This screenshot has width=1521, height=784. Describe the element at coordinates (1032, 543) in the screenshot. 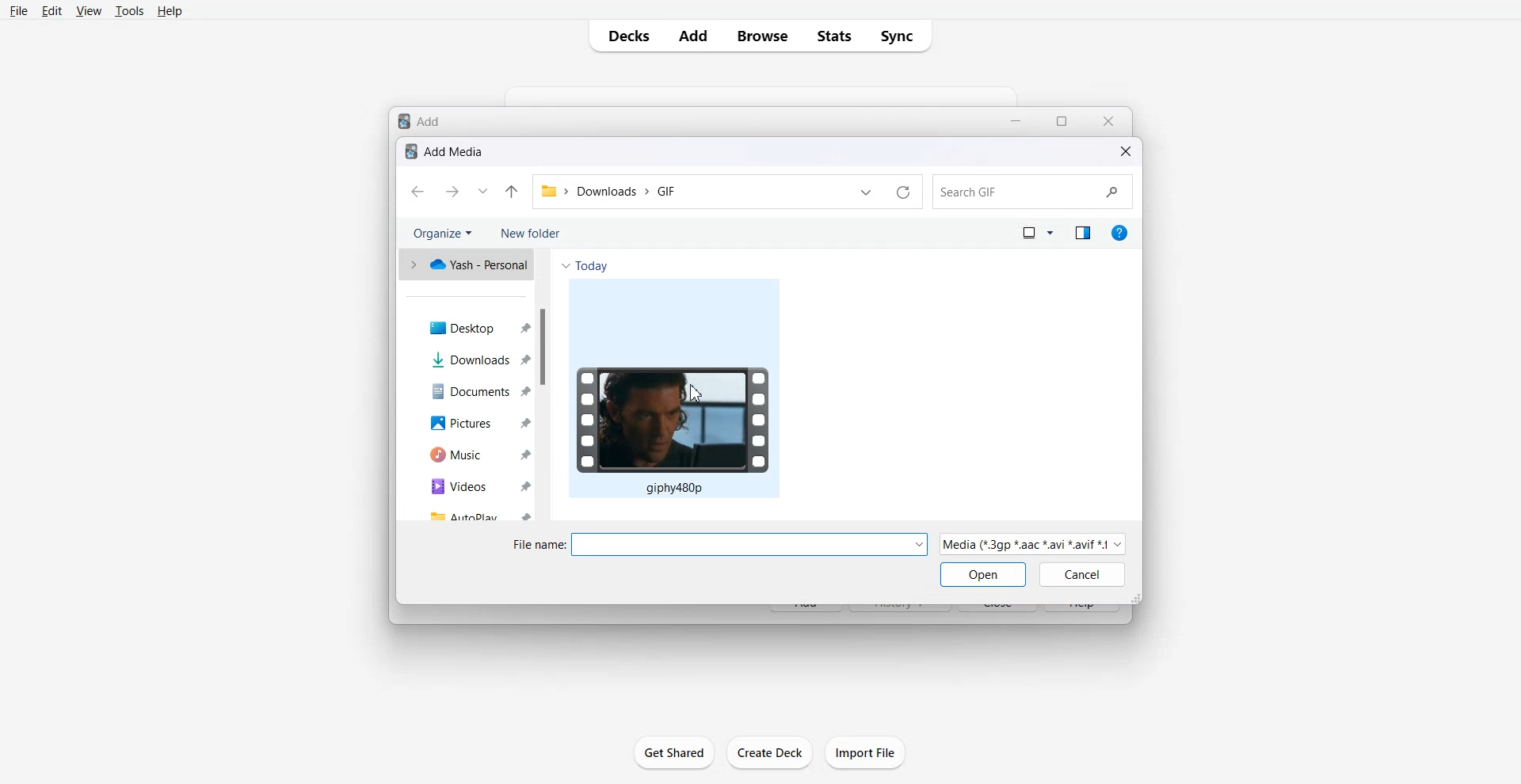

I see `| Media (“3gp *aac “avi *avit #1` at that location.